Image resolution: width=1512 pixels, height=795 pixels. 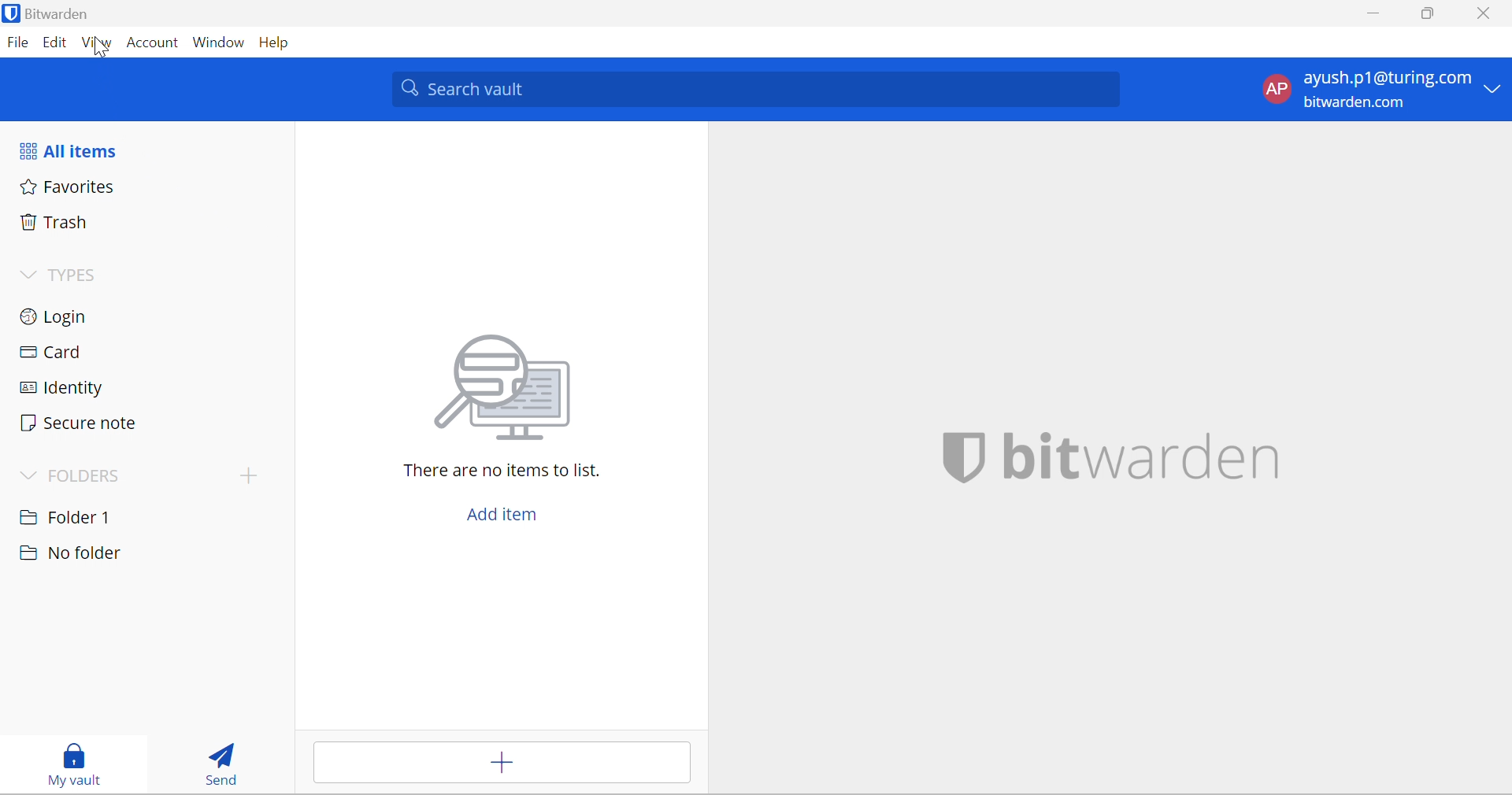 What do you see at coordinates (62, 276) in the screenshot?
I see `Types` at bounding box center [62, 276].